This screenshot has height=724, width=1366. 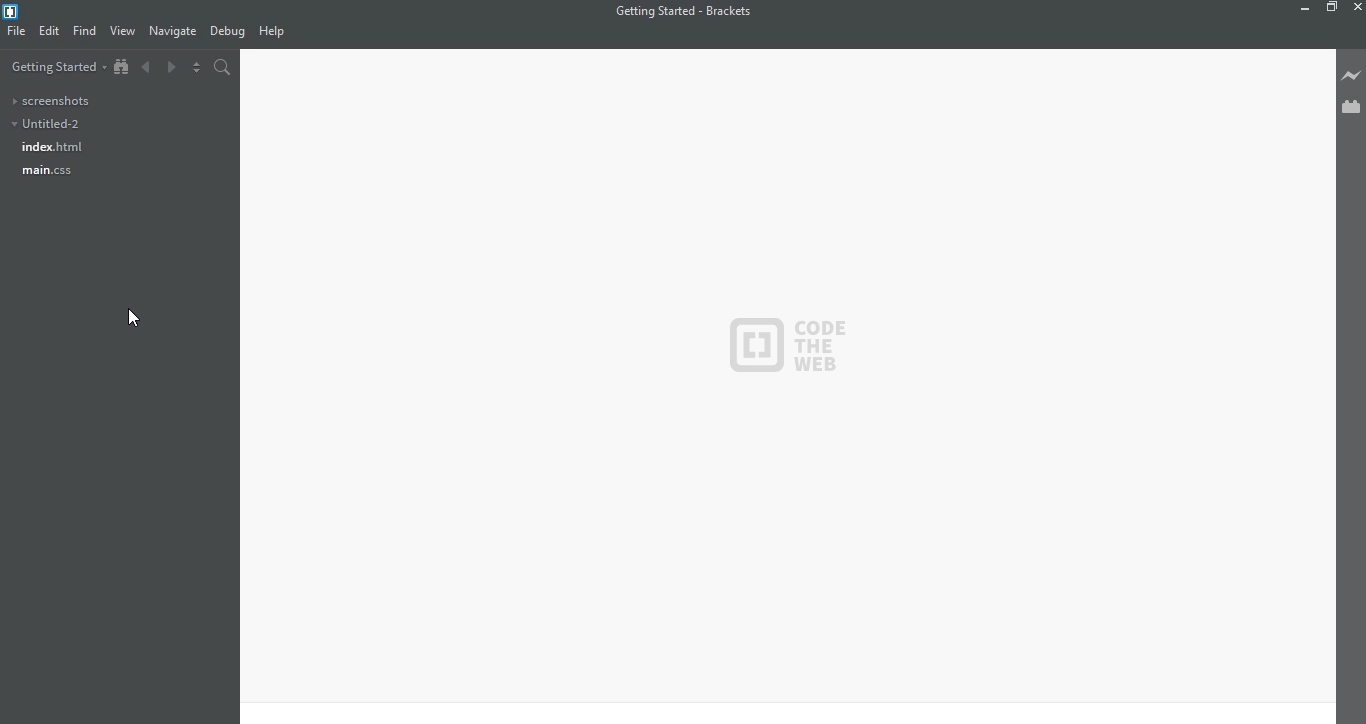 I want to click on navigate, so click(x=175, y=33).